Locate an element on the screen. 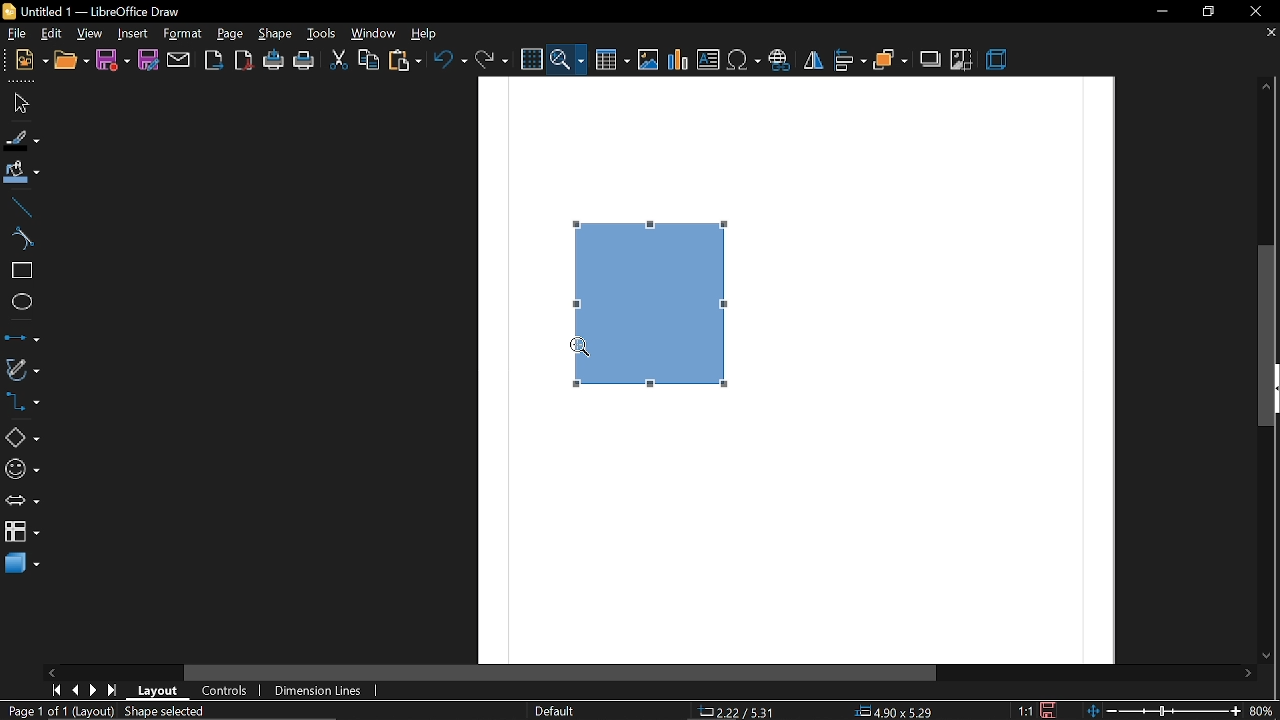  horizontal scroll bar is located at coordinates (562, 673).